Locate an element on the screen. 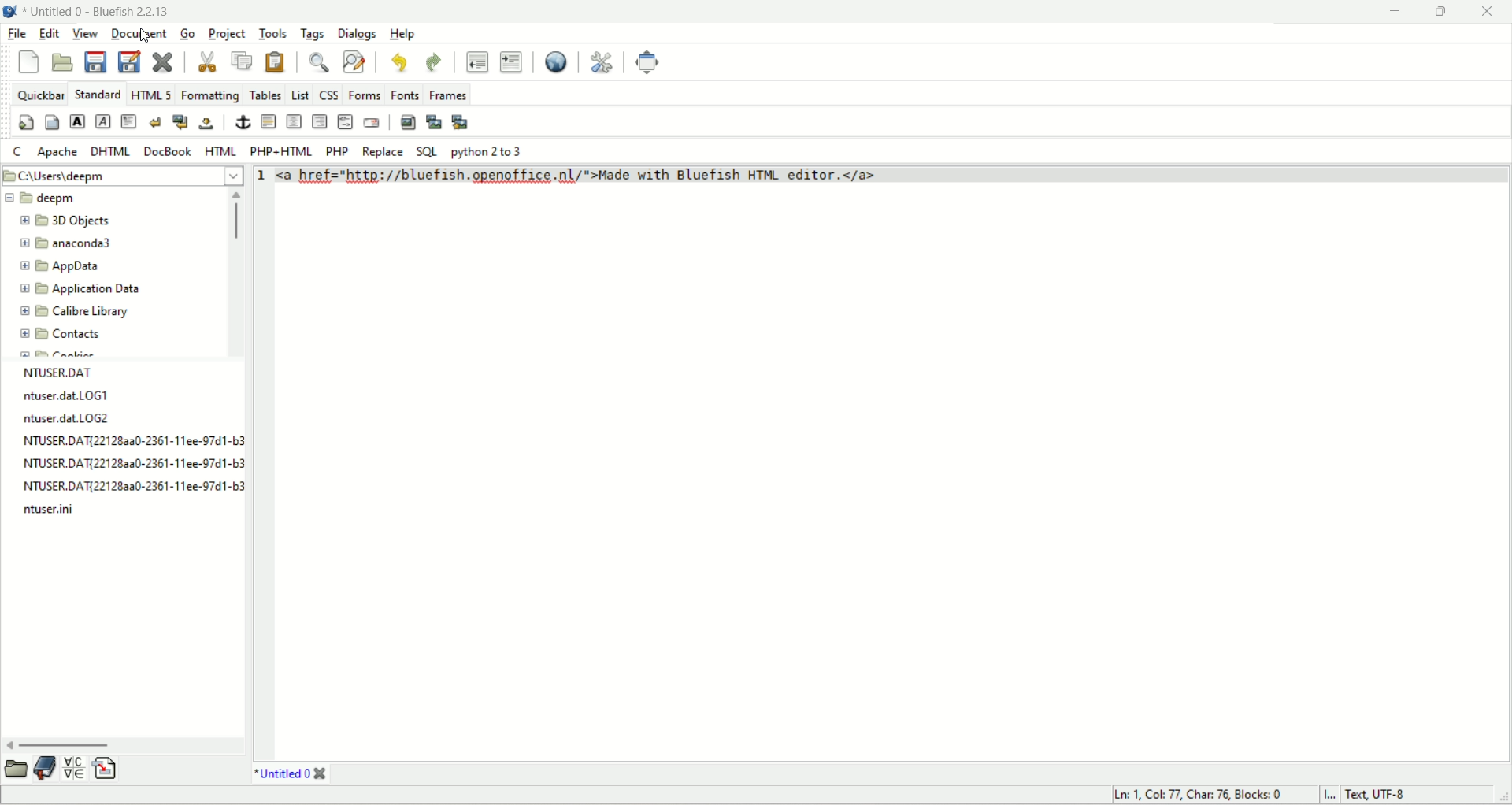 Image resolution: width=1512 pixels, height=805 pixels. HTML is located at coordinates (219, 151).